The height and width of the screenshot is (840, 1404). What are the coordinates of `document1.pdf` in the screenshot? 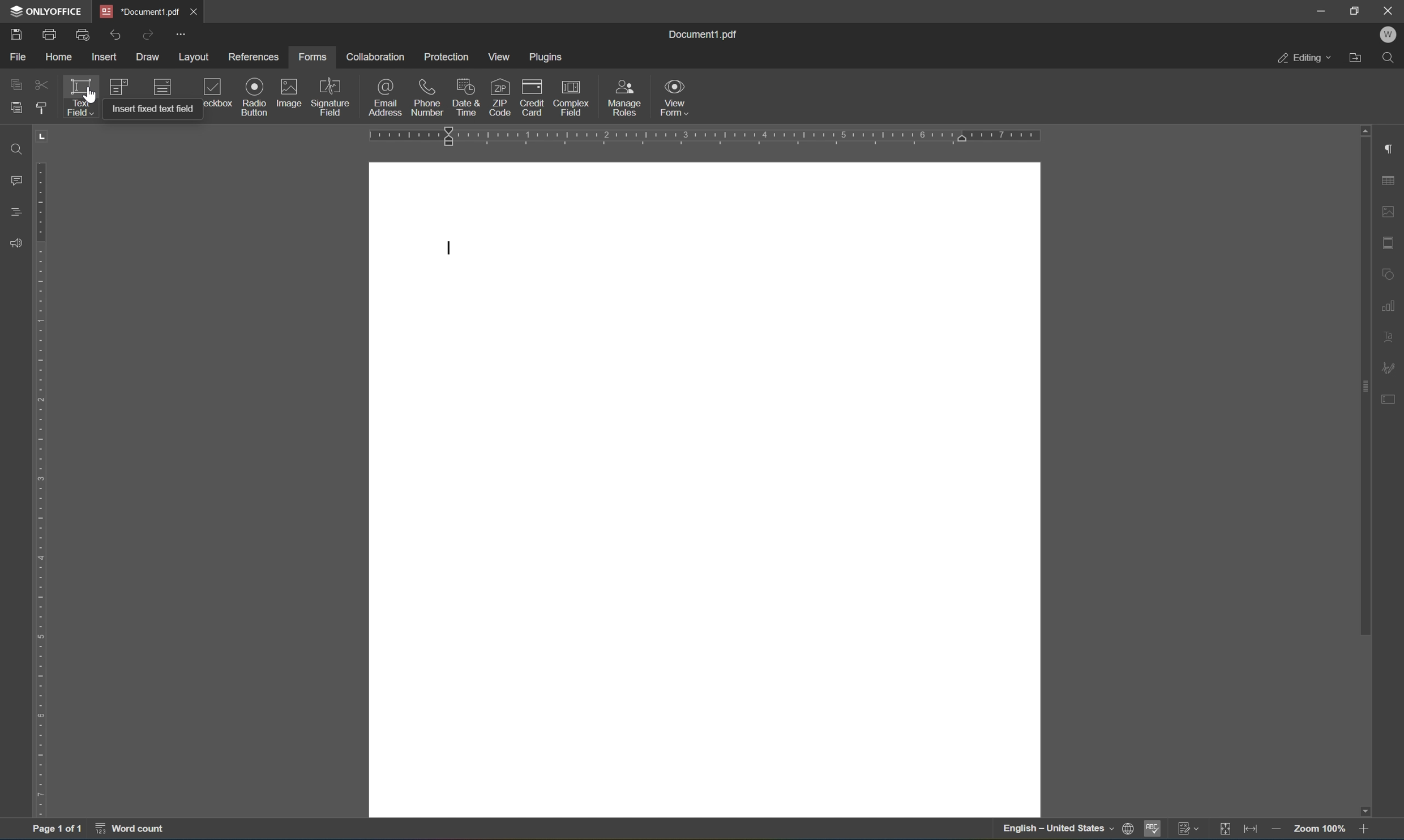 It's located at (707, 34).